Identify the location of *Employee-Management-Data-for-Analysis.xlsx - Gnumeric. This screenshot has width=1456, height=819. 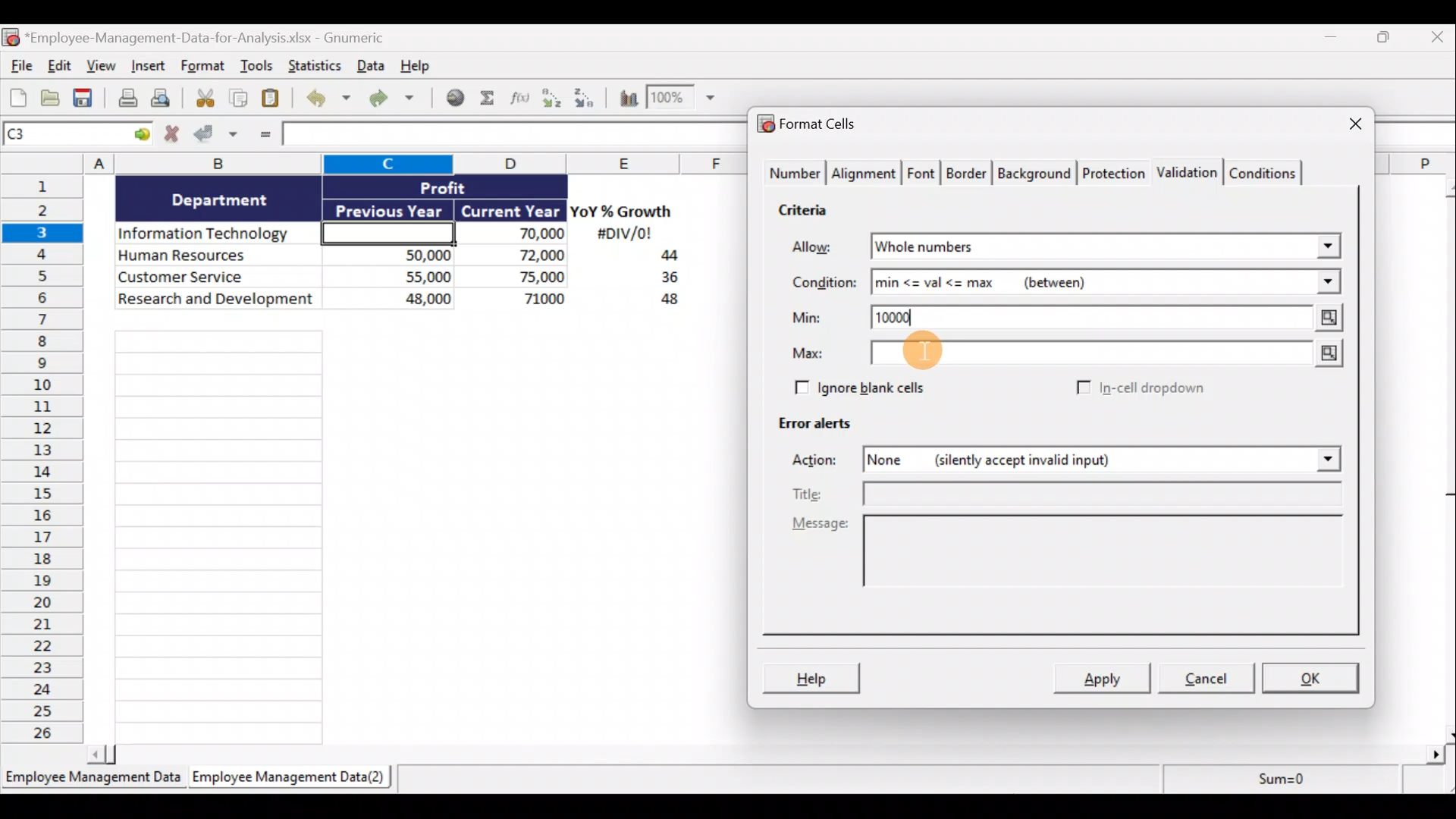
(222, 36).